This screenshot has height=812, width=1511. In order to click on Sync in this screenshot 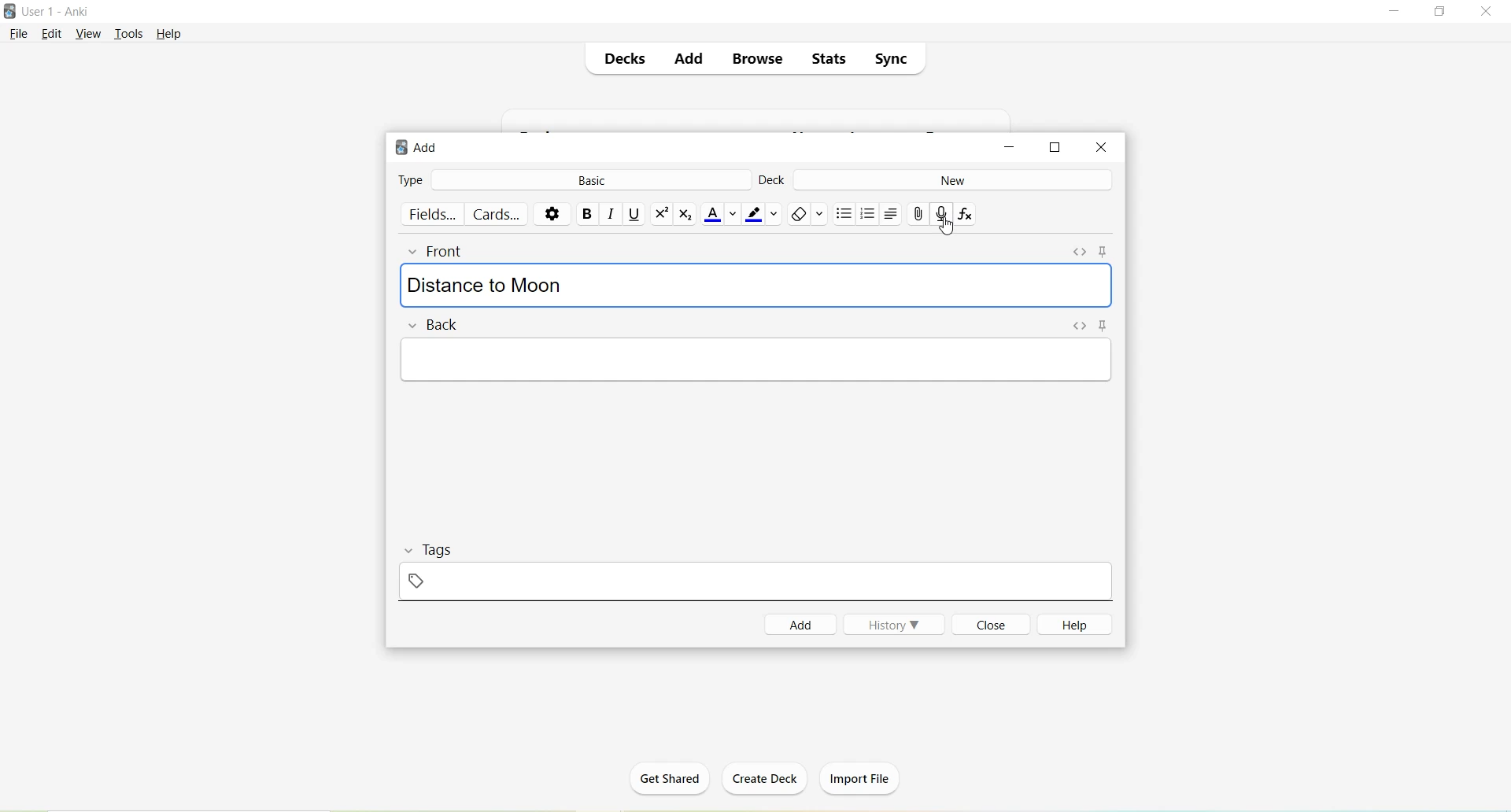, I will do `click(890, 56)`.